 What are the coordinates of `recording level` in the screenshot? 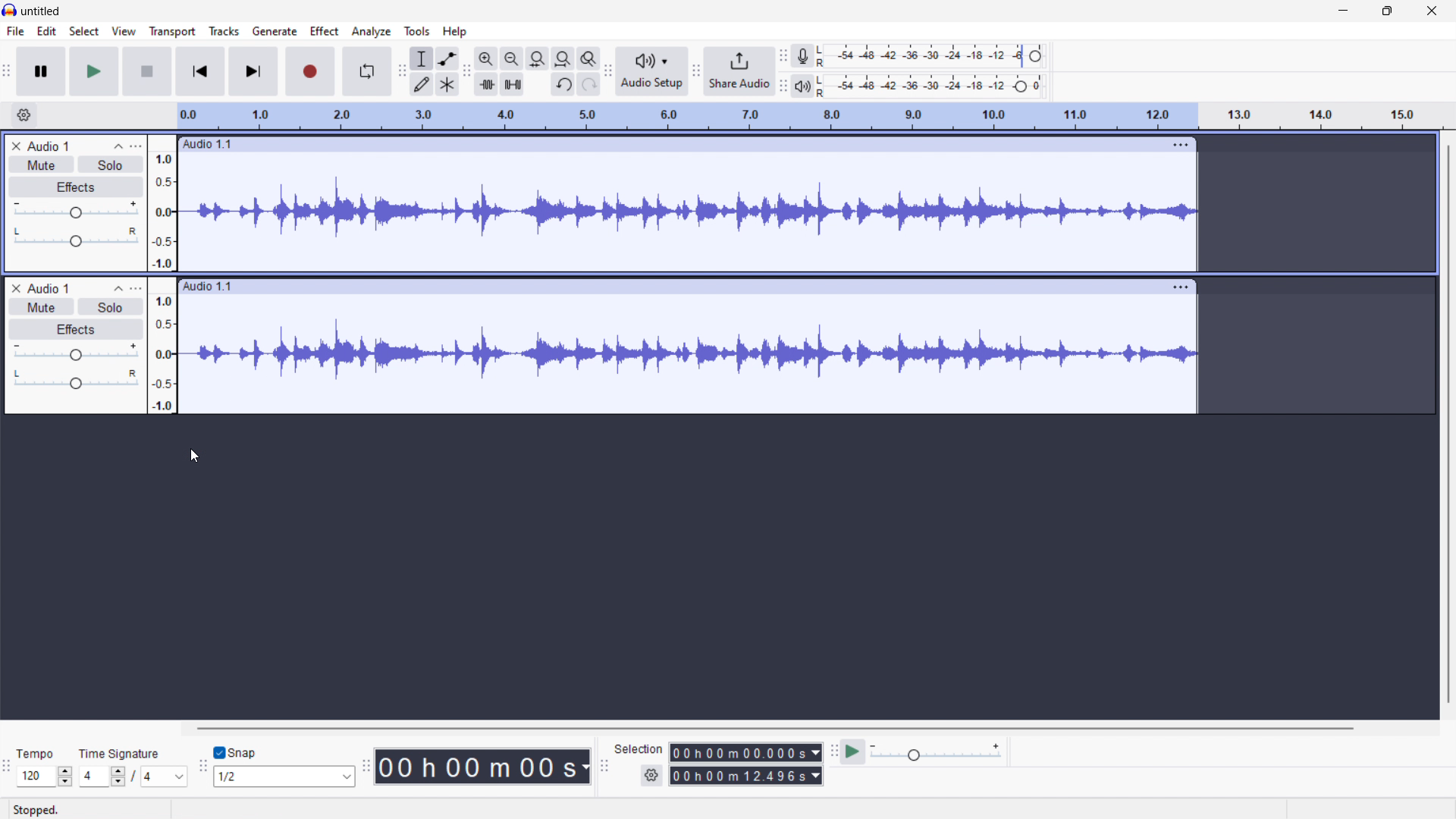 It's located at (932, 55).